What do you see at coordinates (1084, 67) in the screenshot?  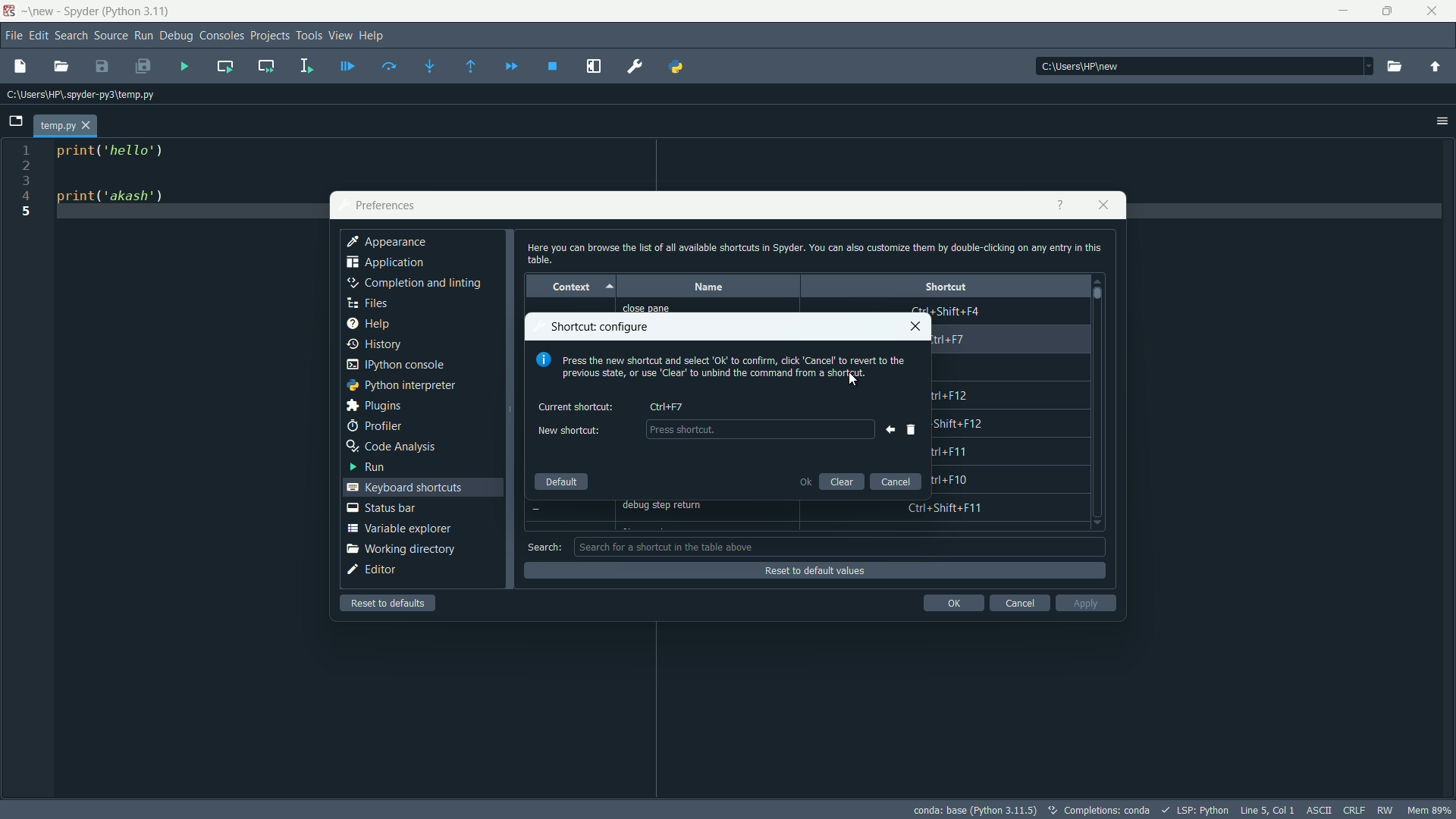 I see `directory` at bounding box center [1084, 67].